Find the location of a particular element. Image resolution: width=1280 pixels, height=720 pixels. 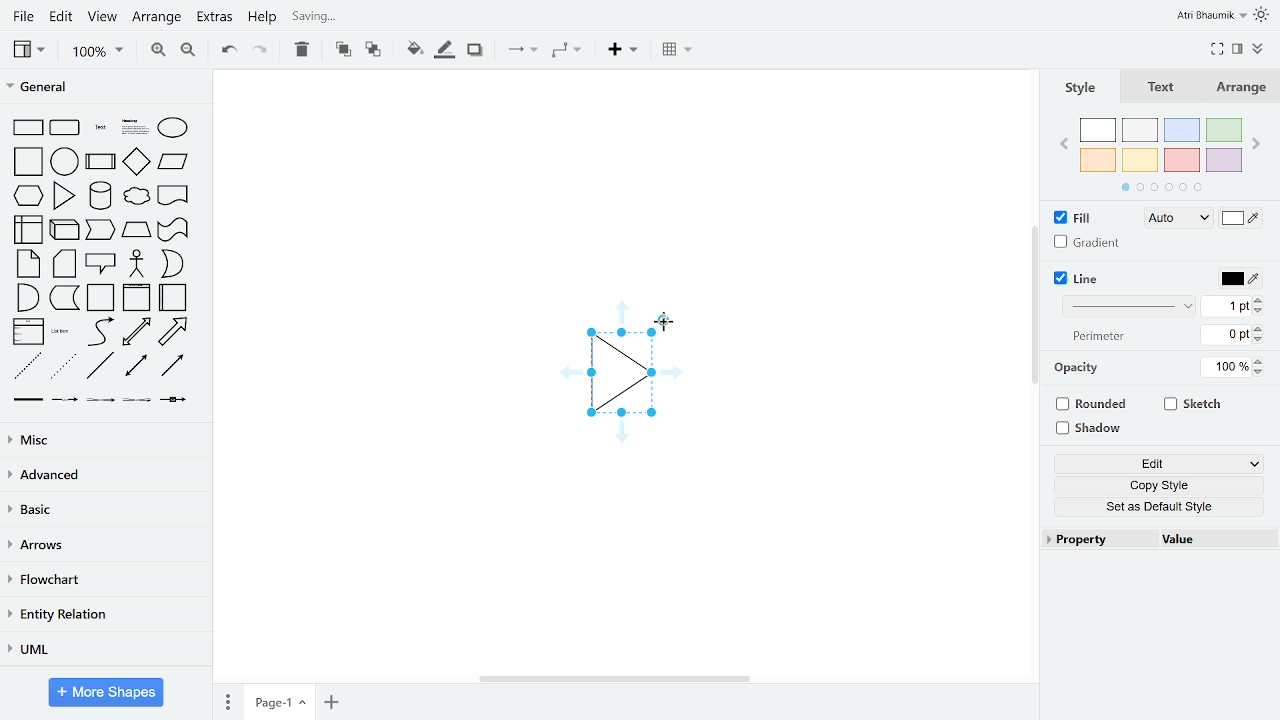

callout is located at coordinates (100, 265).